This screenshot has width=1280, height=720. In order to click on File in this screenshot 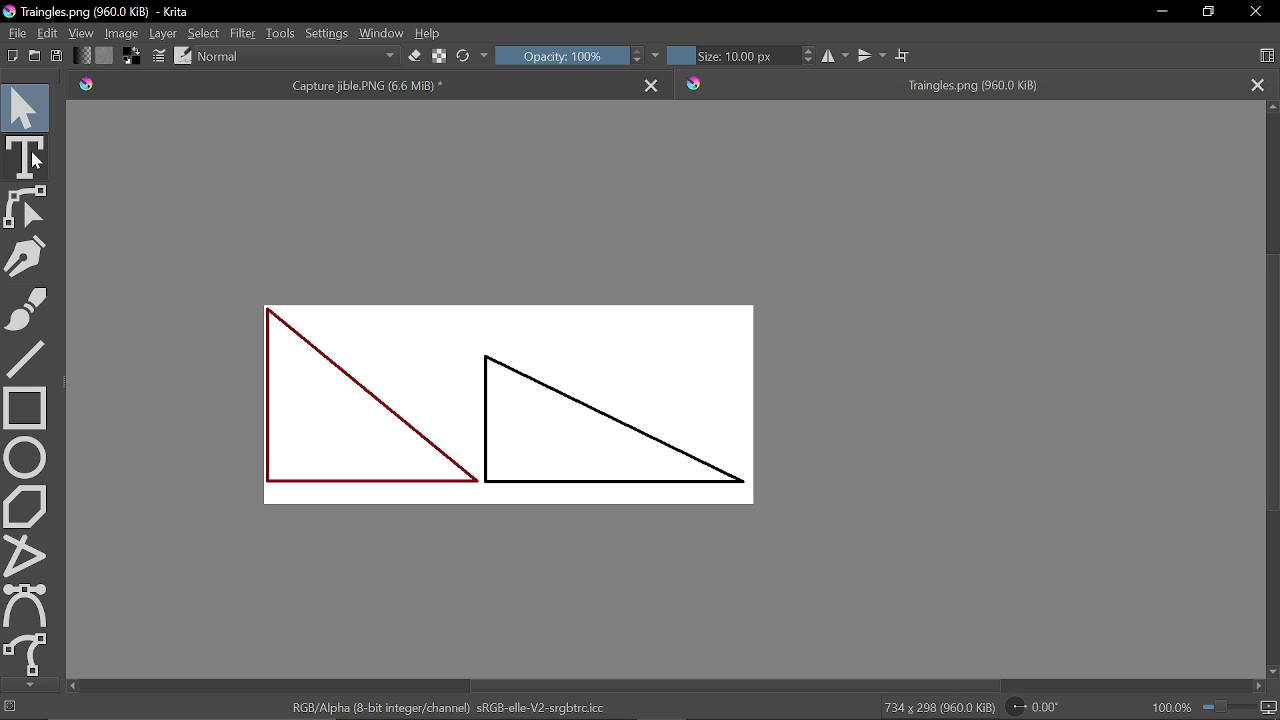, I will do `click(14, 33)`.